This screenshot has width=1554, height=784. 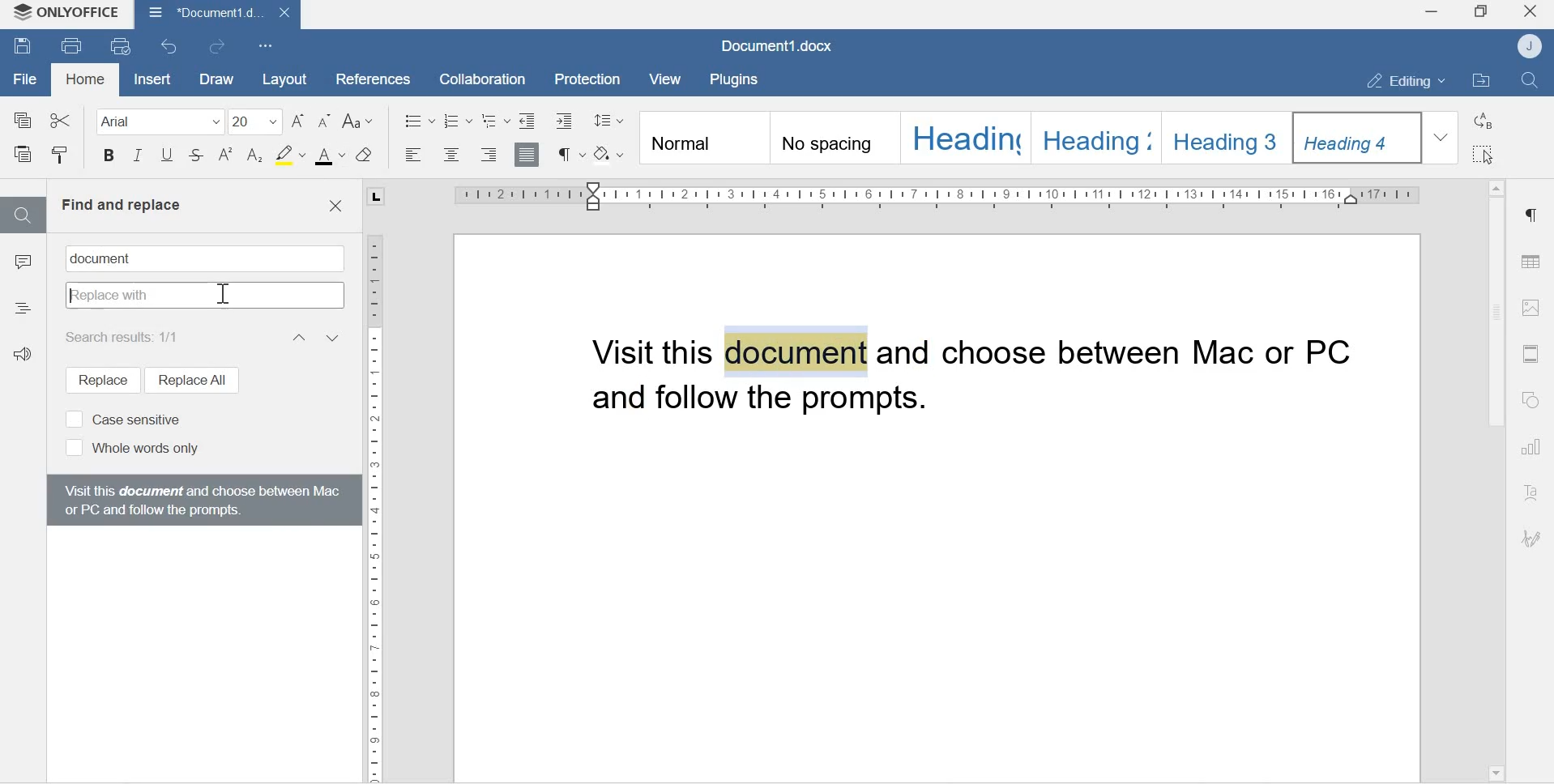 What do you see at coordinates (459, 120) in the screenshot?
I see `Numbering` at bounding box center [459, 120].